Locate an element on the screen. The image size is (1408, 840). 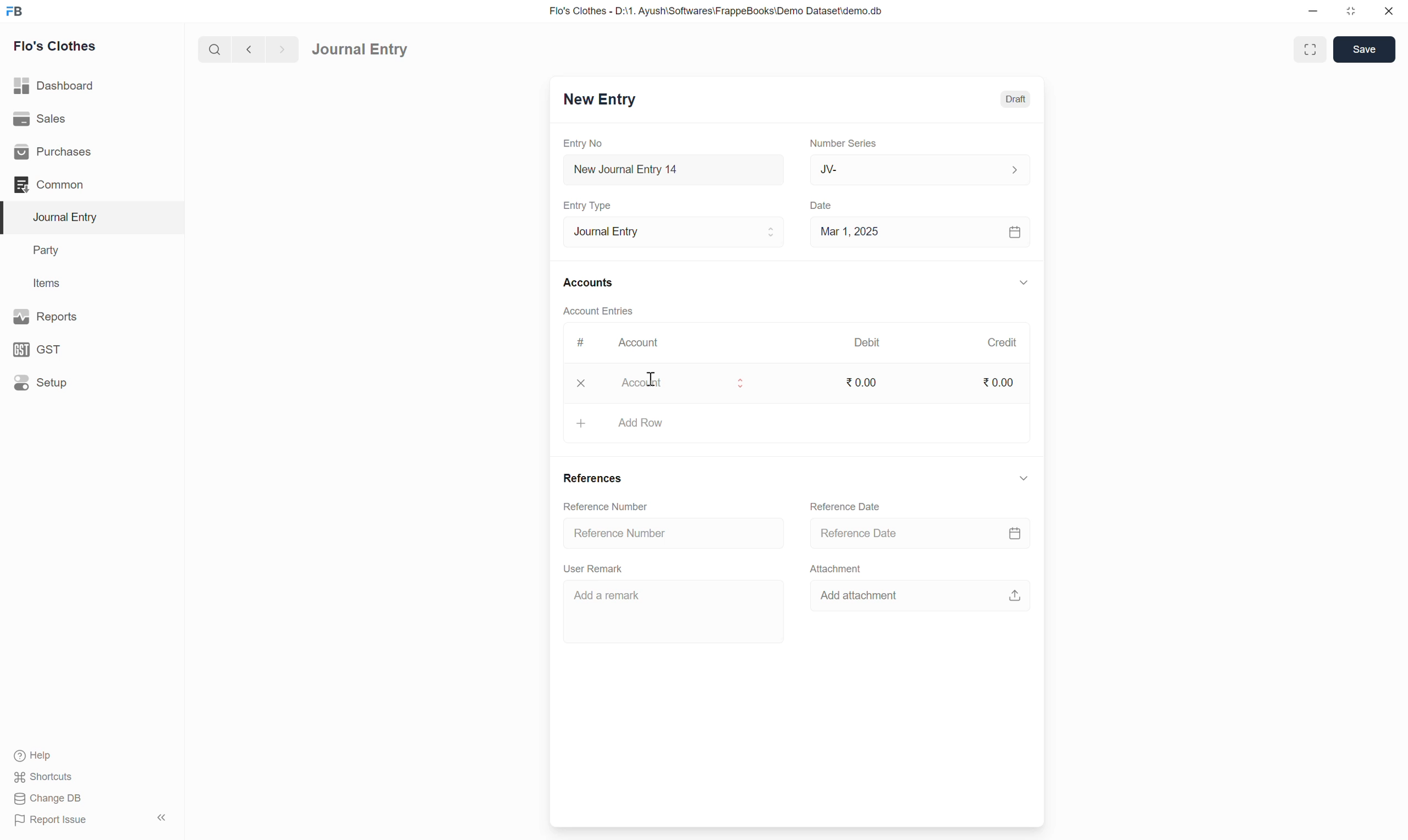
Reports is located at coordinates (49, 316).